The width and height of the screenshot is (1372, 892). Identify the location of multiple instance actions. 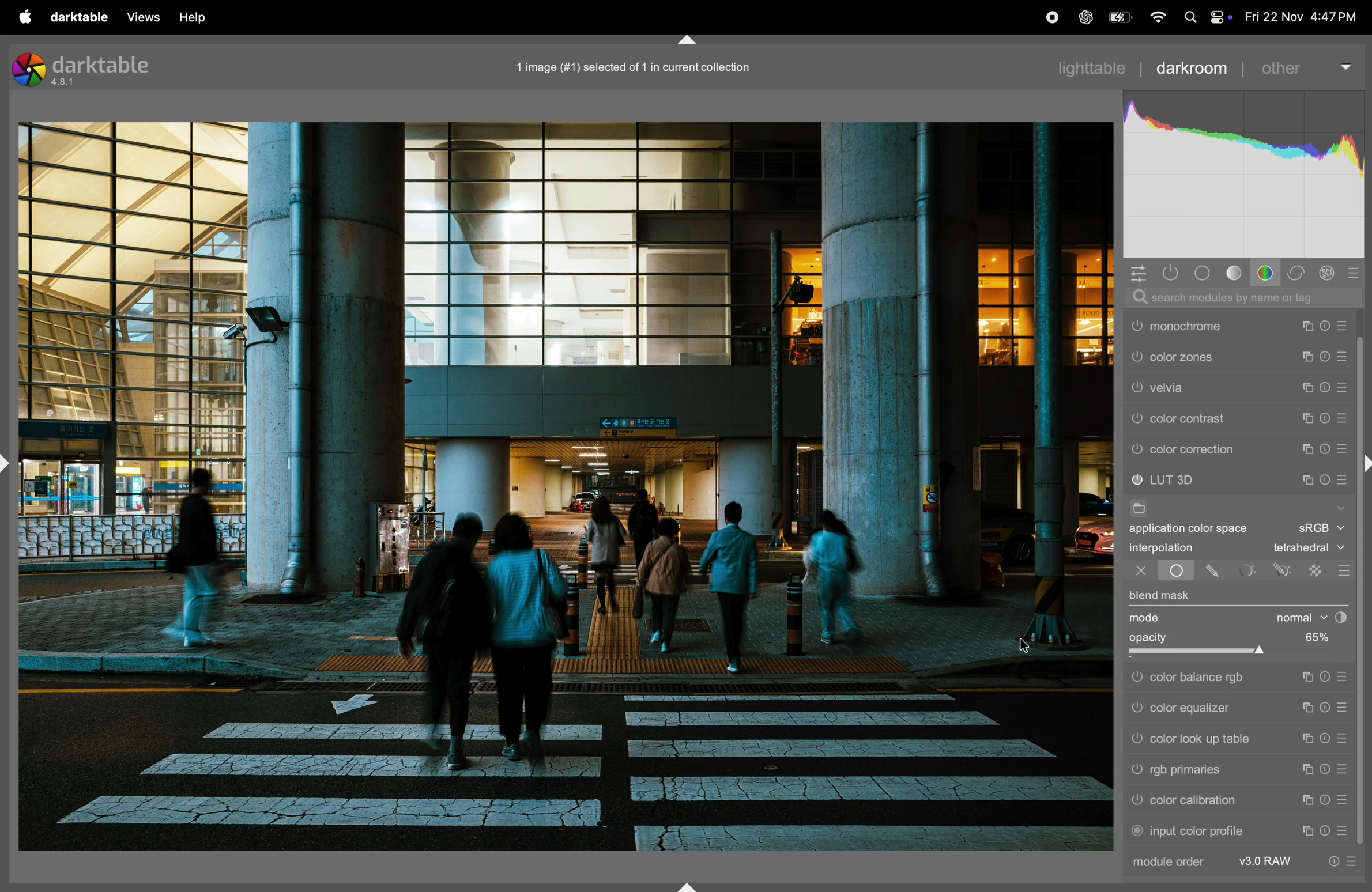
(1307, 769).